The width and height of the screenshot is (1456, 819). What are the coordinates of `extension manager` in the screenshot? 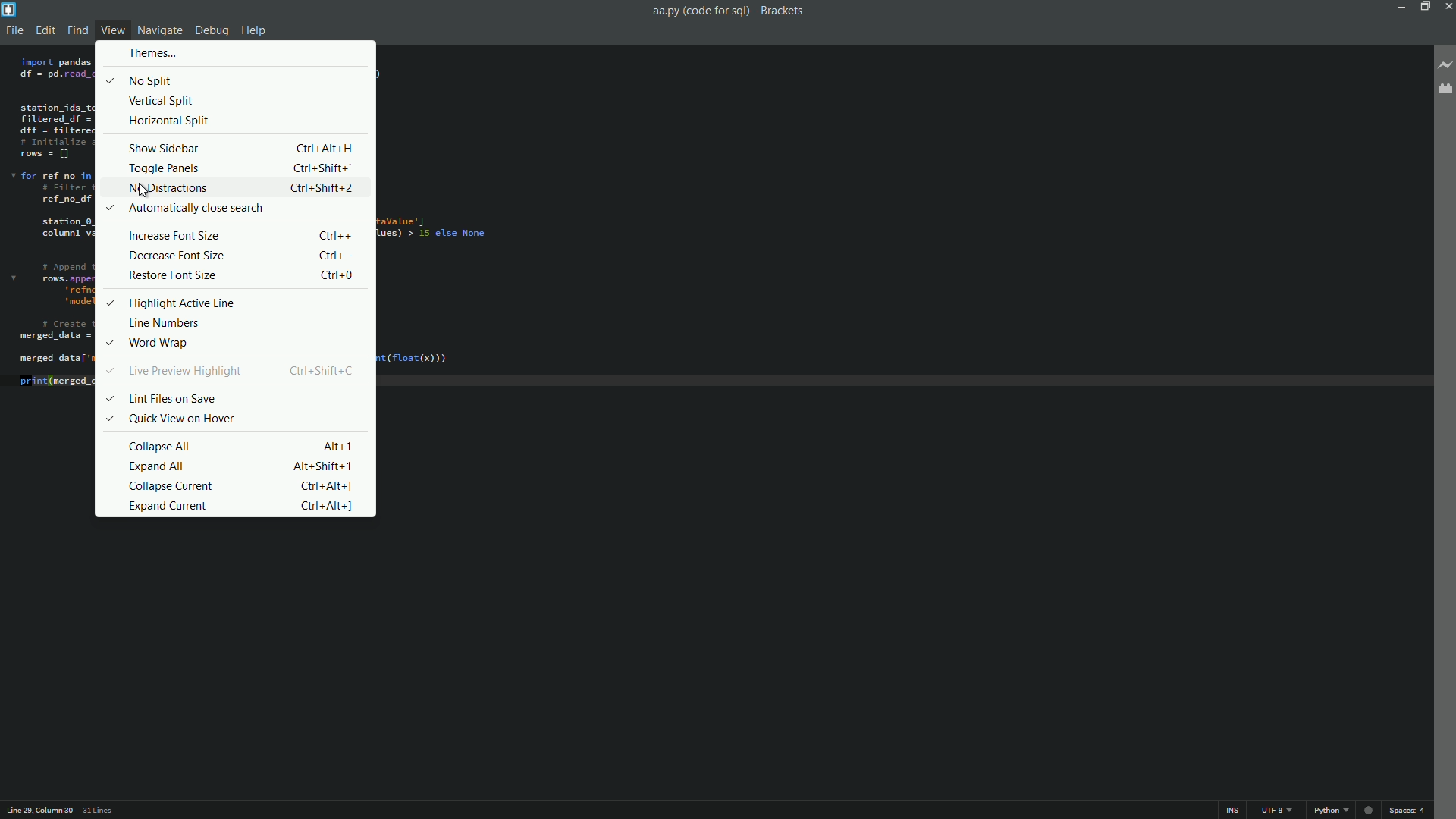 It's located at (1447, 90).